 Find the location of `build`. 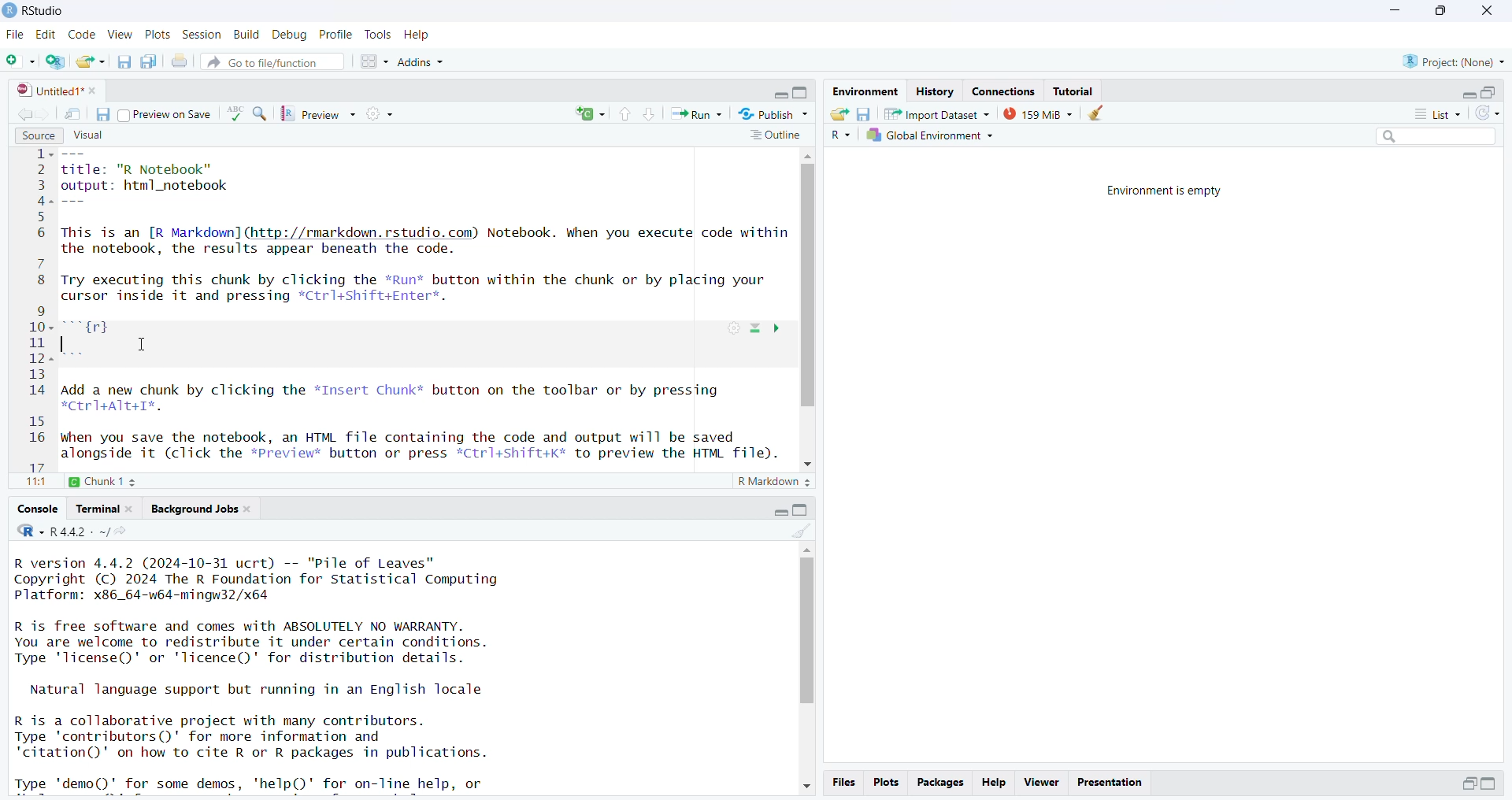

build is located at coordinates (248, 35).